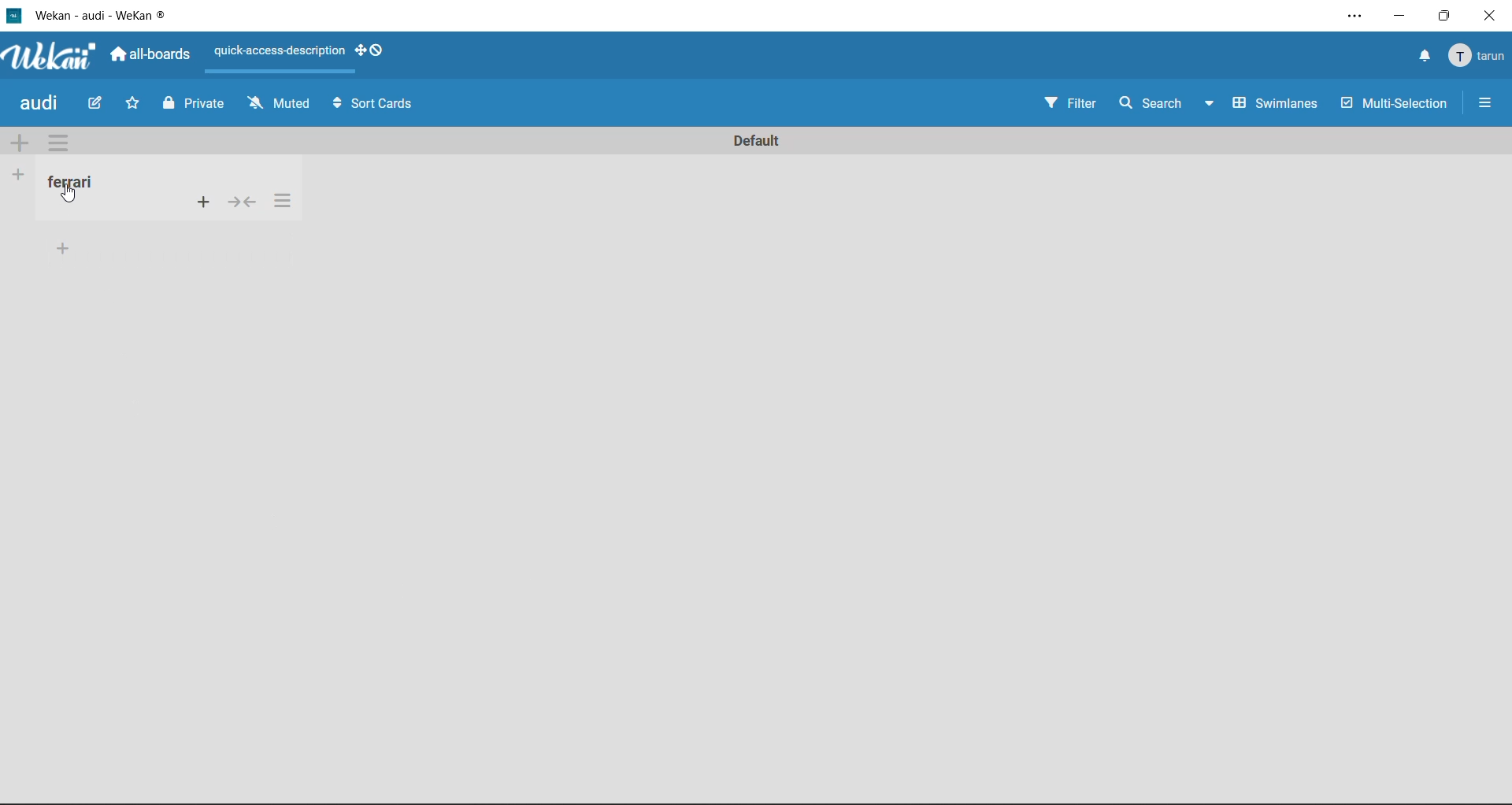 The width and height of the screenshot is (1512, 805). What do you see at coordinates (65, 249) in the screenshot?
I see `add list` at bounding box center [65, 249].